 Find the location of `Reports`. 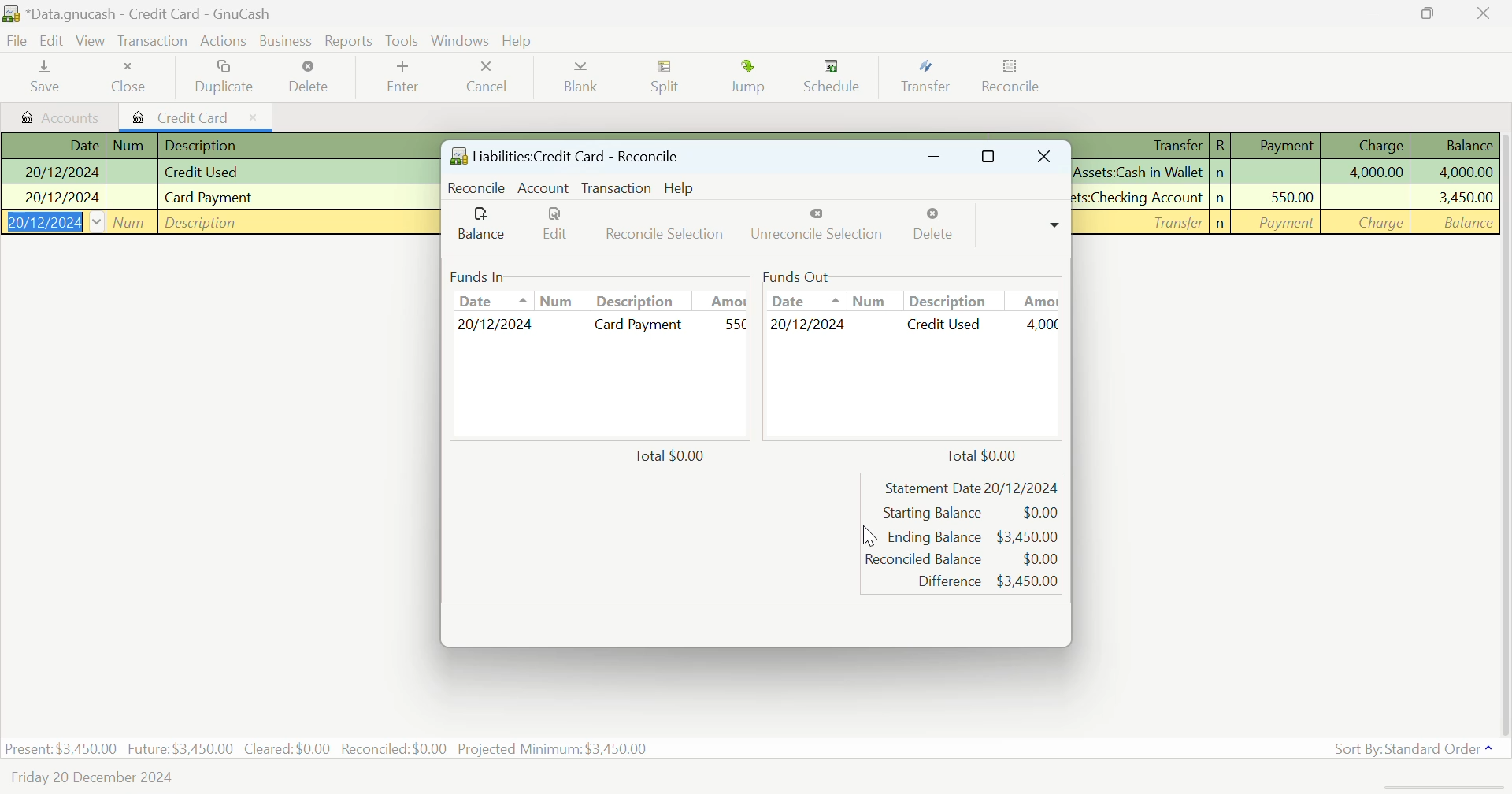

Reports is located at coordinates (350, 39).